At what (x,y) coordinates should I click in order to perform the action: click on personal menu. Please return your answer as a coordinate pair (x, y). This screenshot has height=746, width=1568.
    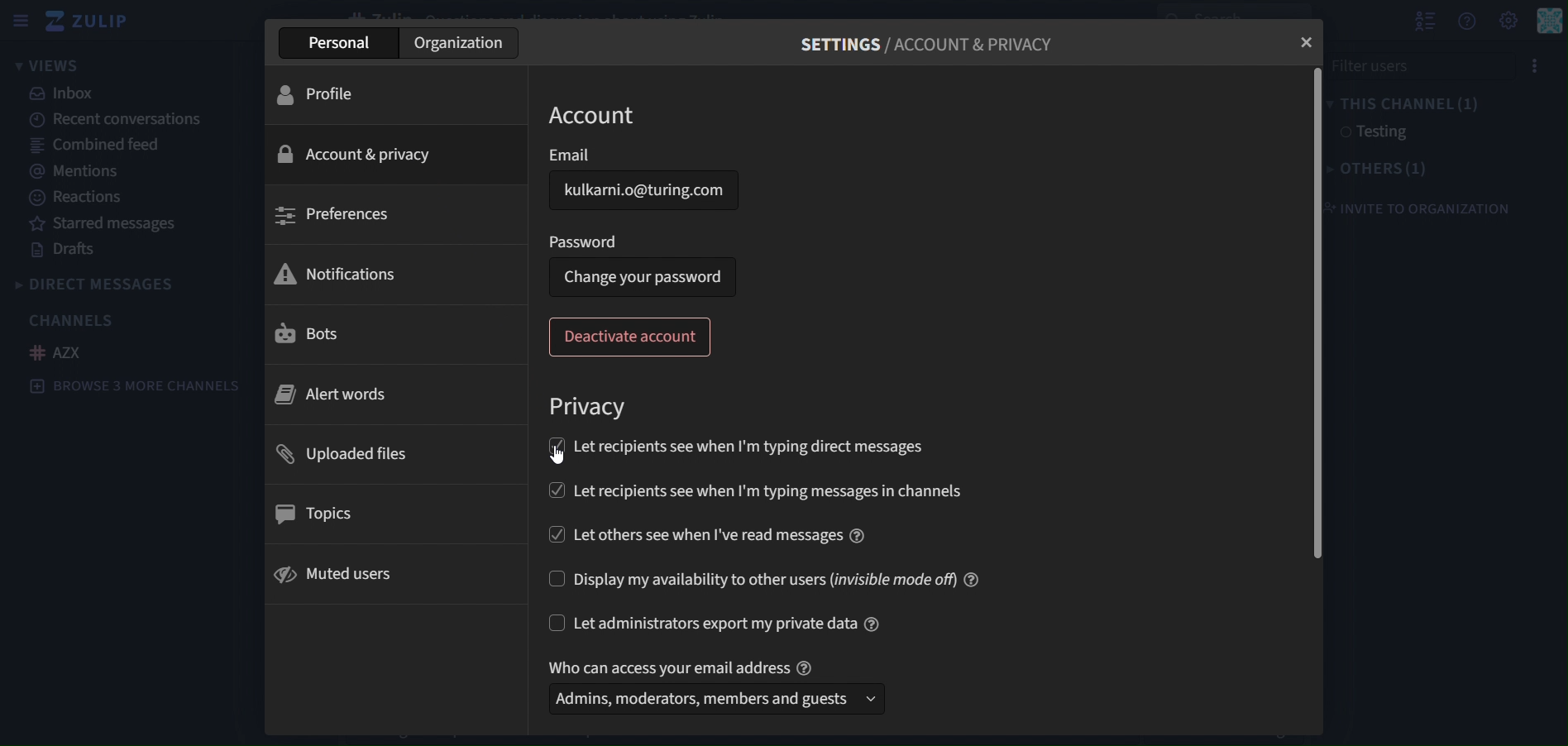
    Looking at the image, I should click on (1547, 22).